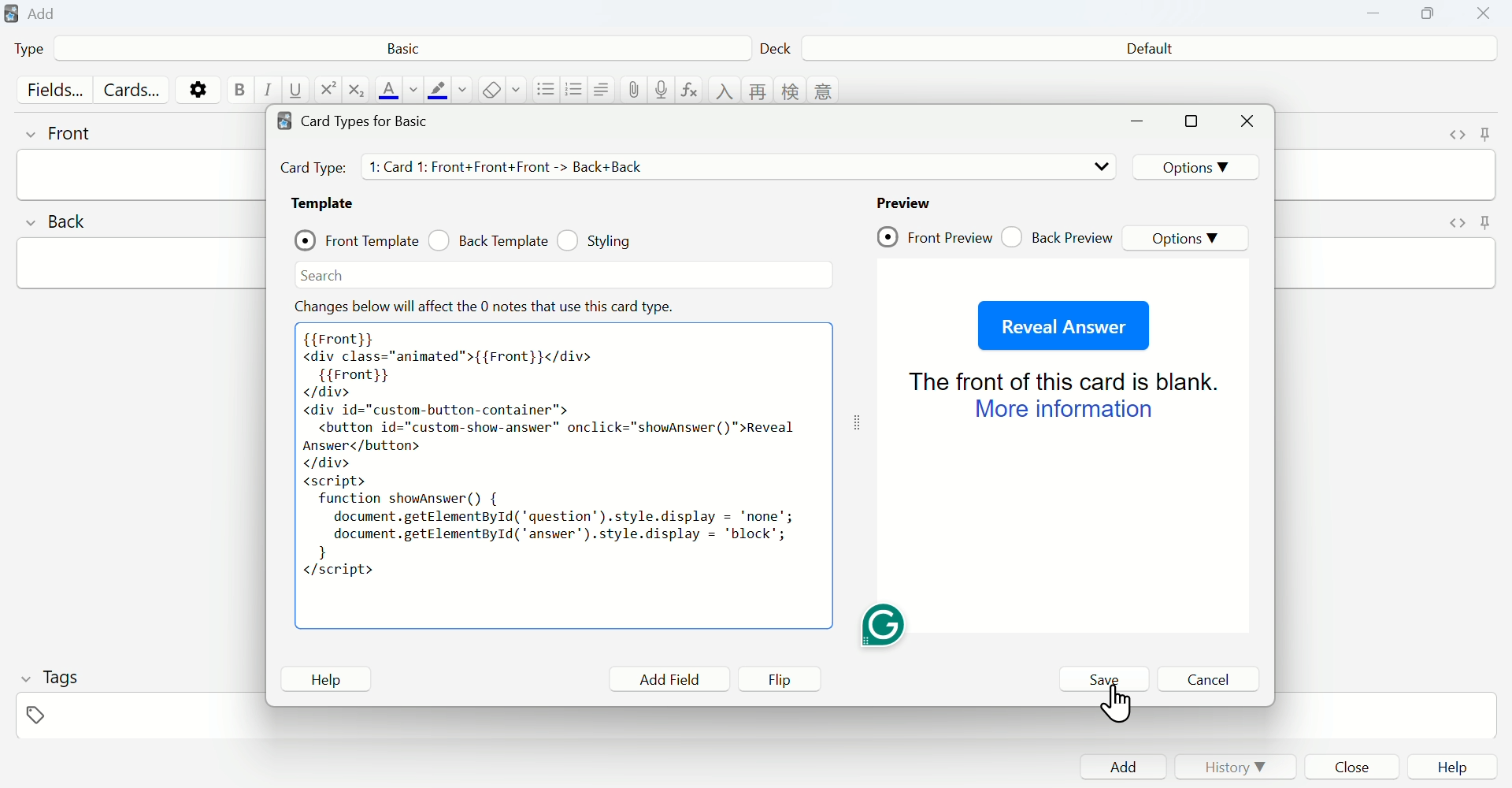 This screenshot has height=788, width=1512. I want to click on toggle HTML editor, so click(1458, 222).